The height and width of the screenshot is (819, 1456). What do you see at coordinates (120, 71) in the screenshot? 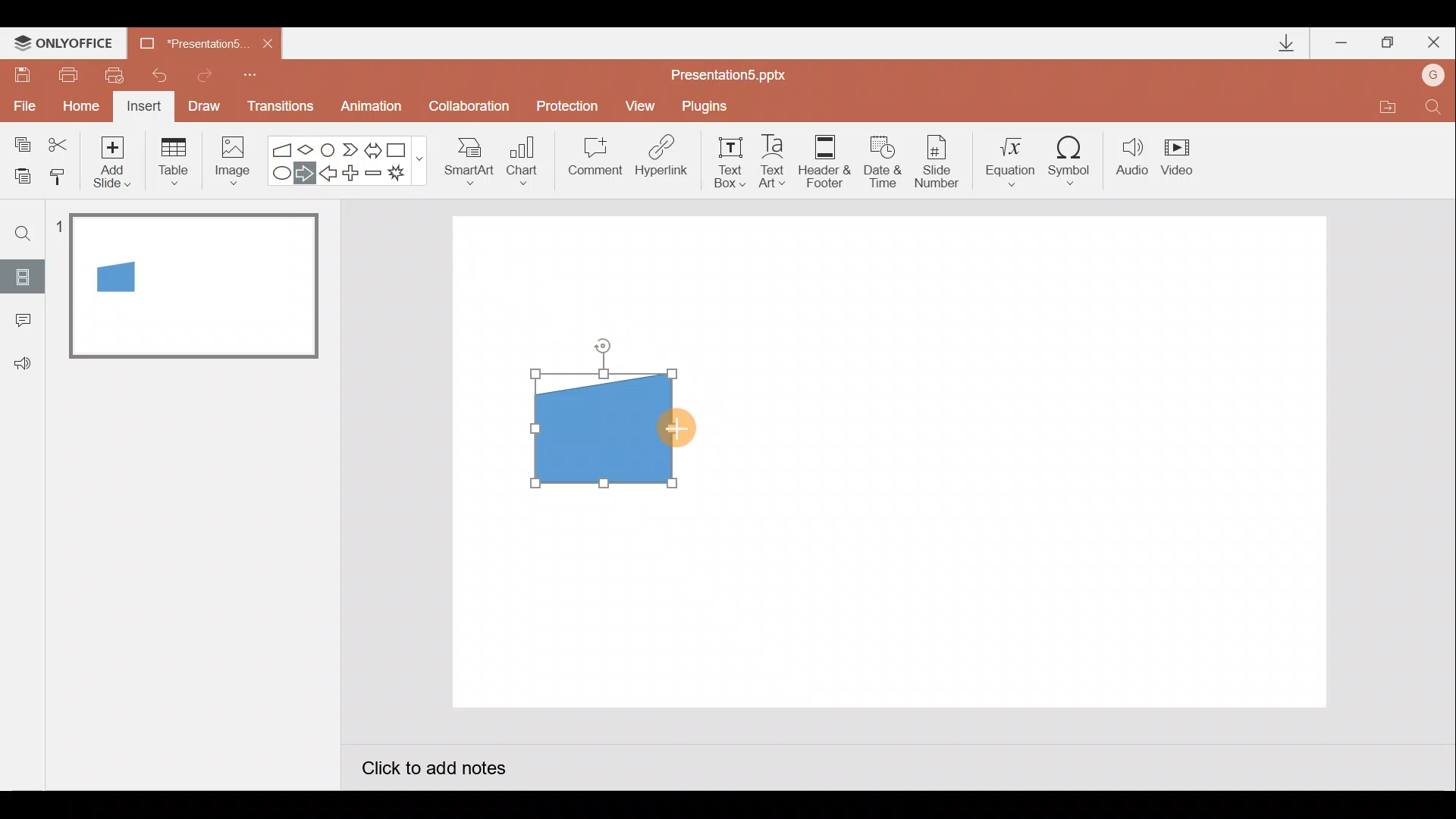
I see `Quick print` at bounding box center [120, 71].